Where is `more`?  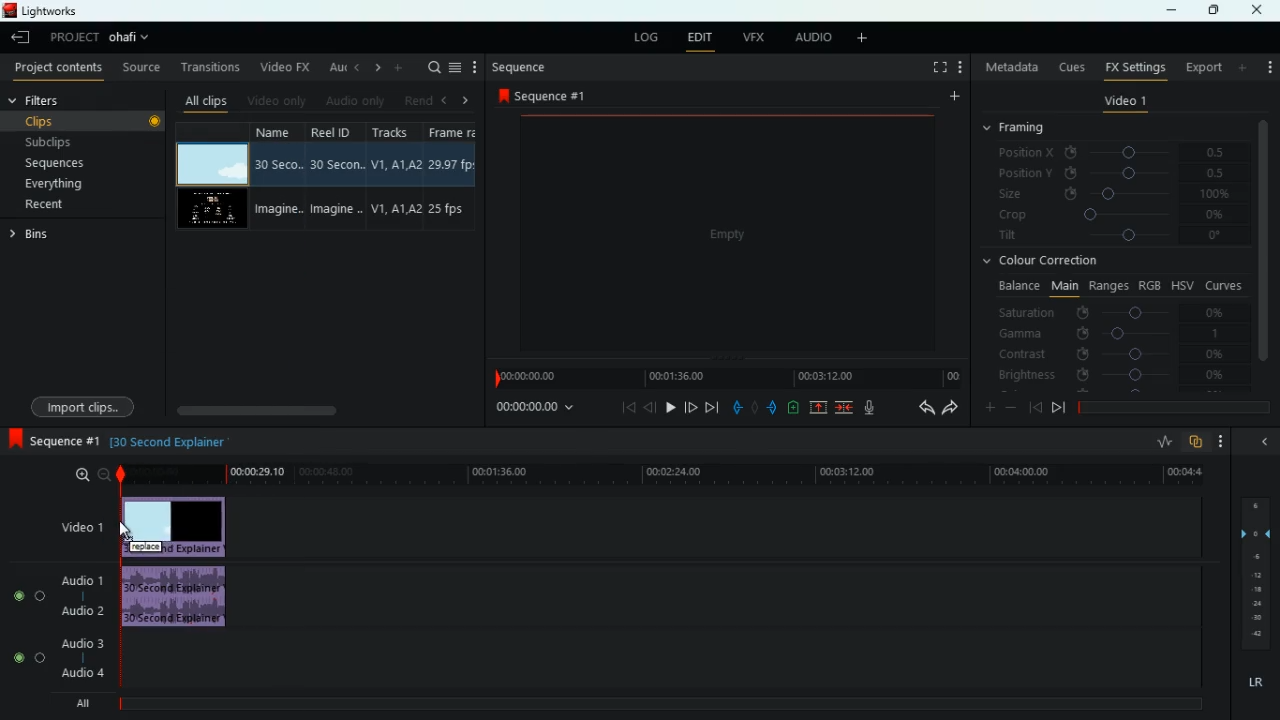
more is located at coordinates (1222, 442).